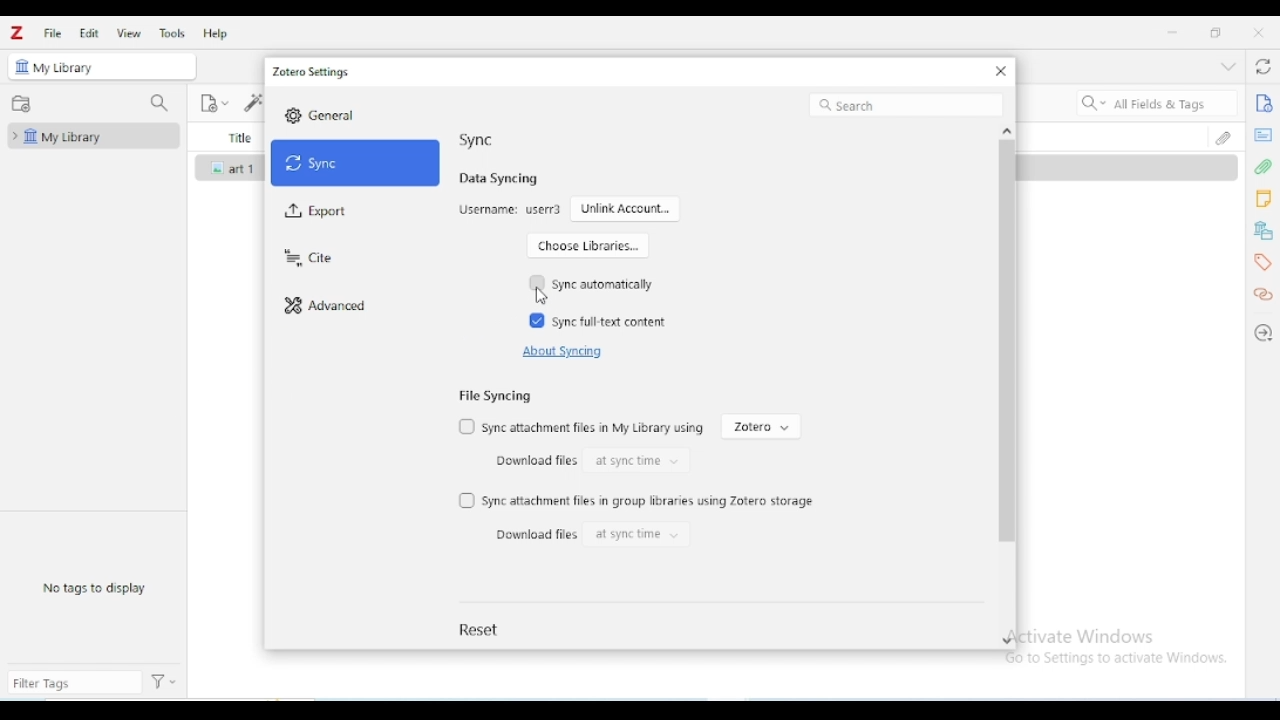 This screenshot has width=1280, height=720. What do you see at coordinates (1262, 263) in the screenshot?
I see `tags` at bounding box center [1262, 263].